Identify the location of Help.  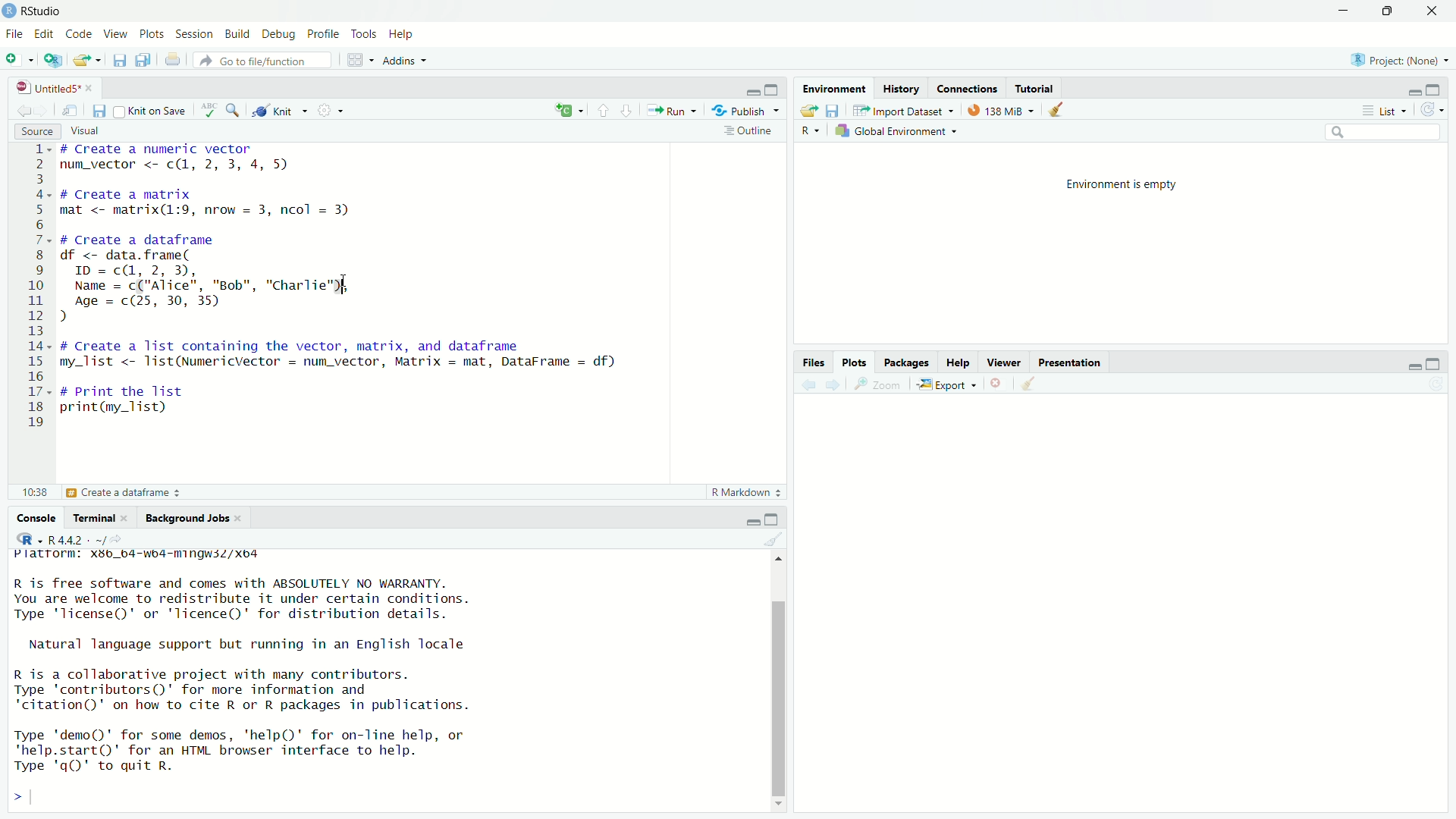
(403, 35).